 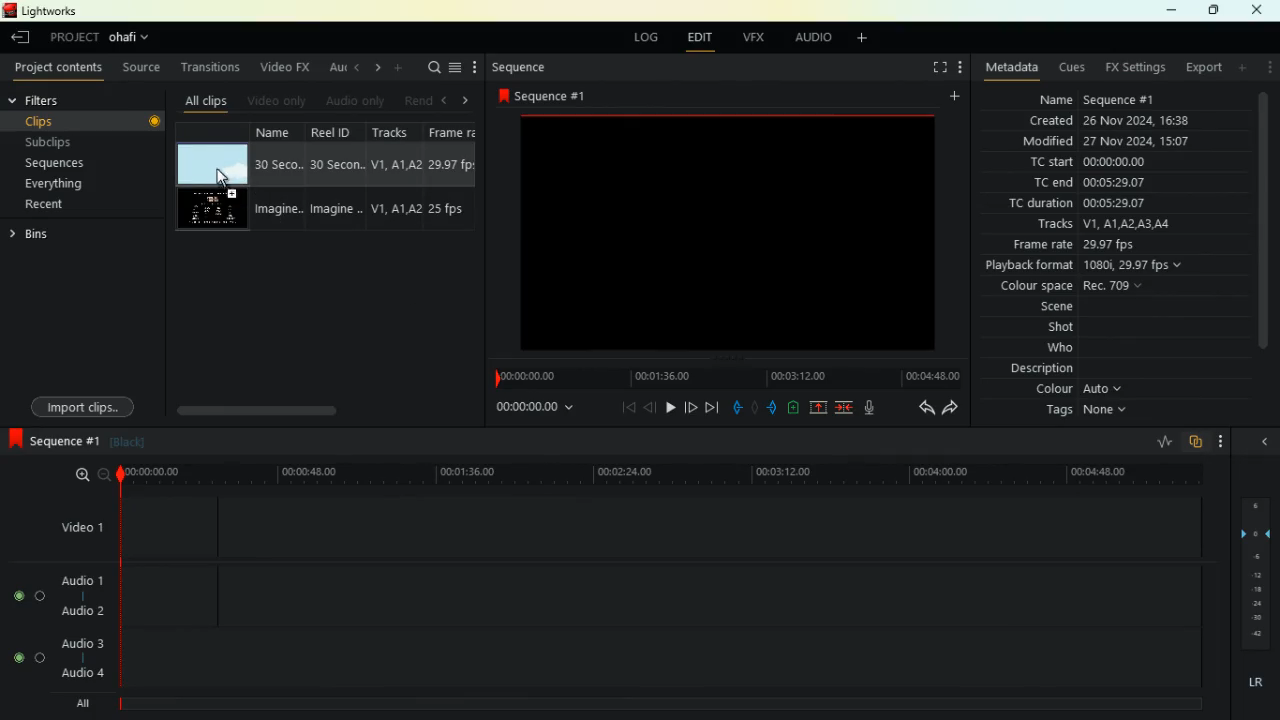 What do you see at coordinates (337, 68) in the screenshot?
I see `au` at bounding box center [337, 68].